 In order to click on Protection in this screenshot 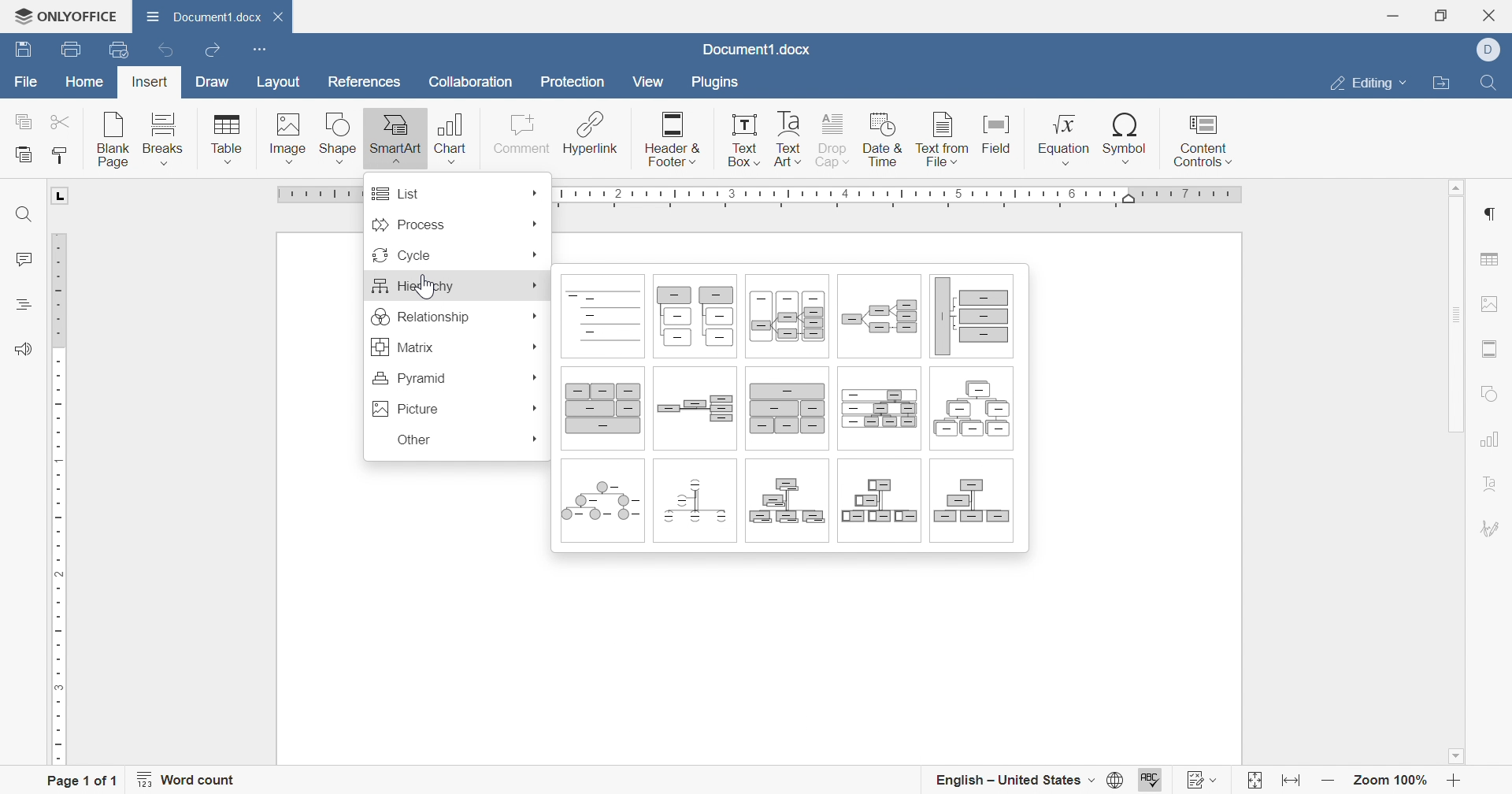, I will do `click(571, 82)`.